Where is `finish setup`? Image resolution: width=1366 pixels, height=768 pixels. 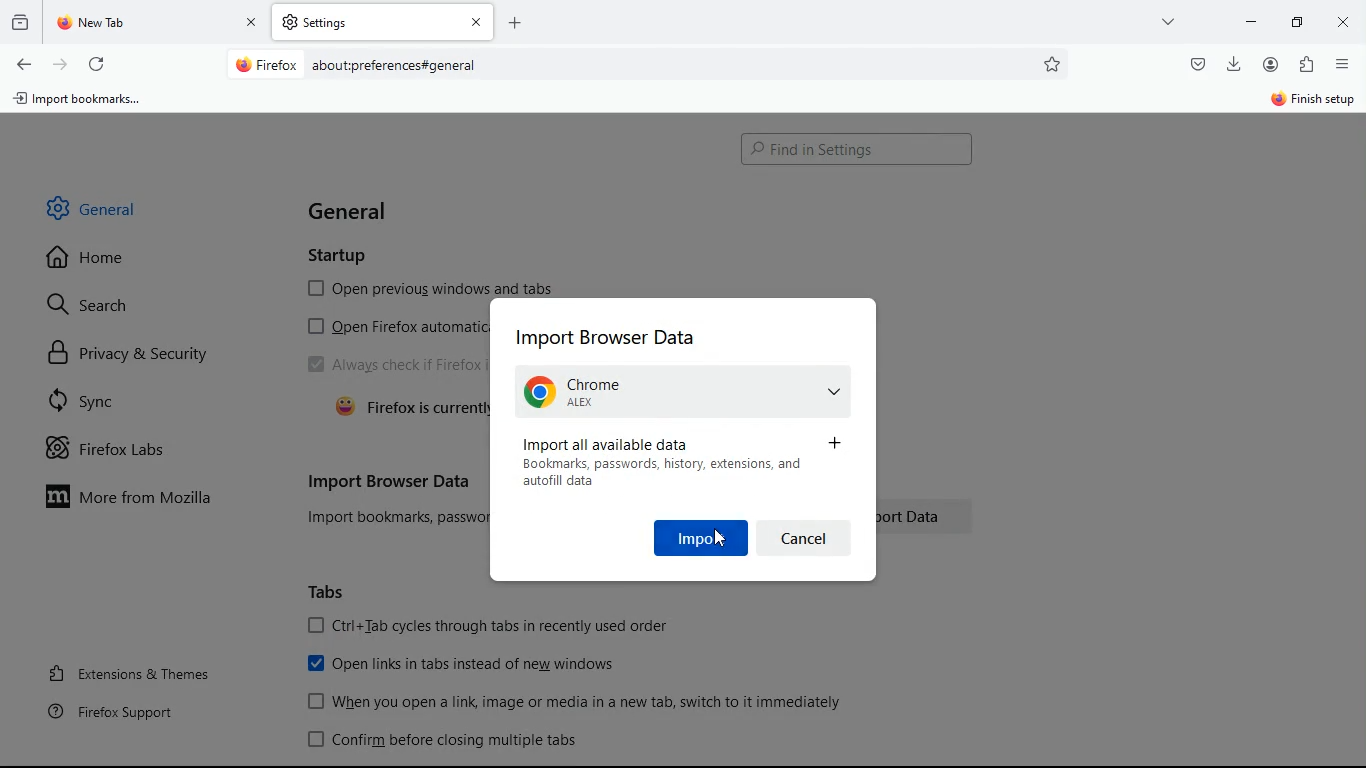
finish setup is located at coordinates (1308, 102).